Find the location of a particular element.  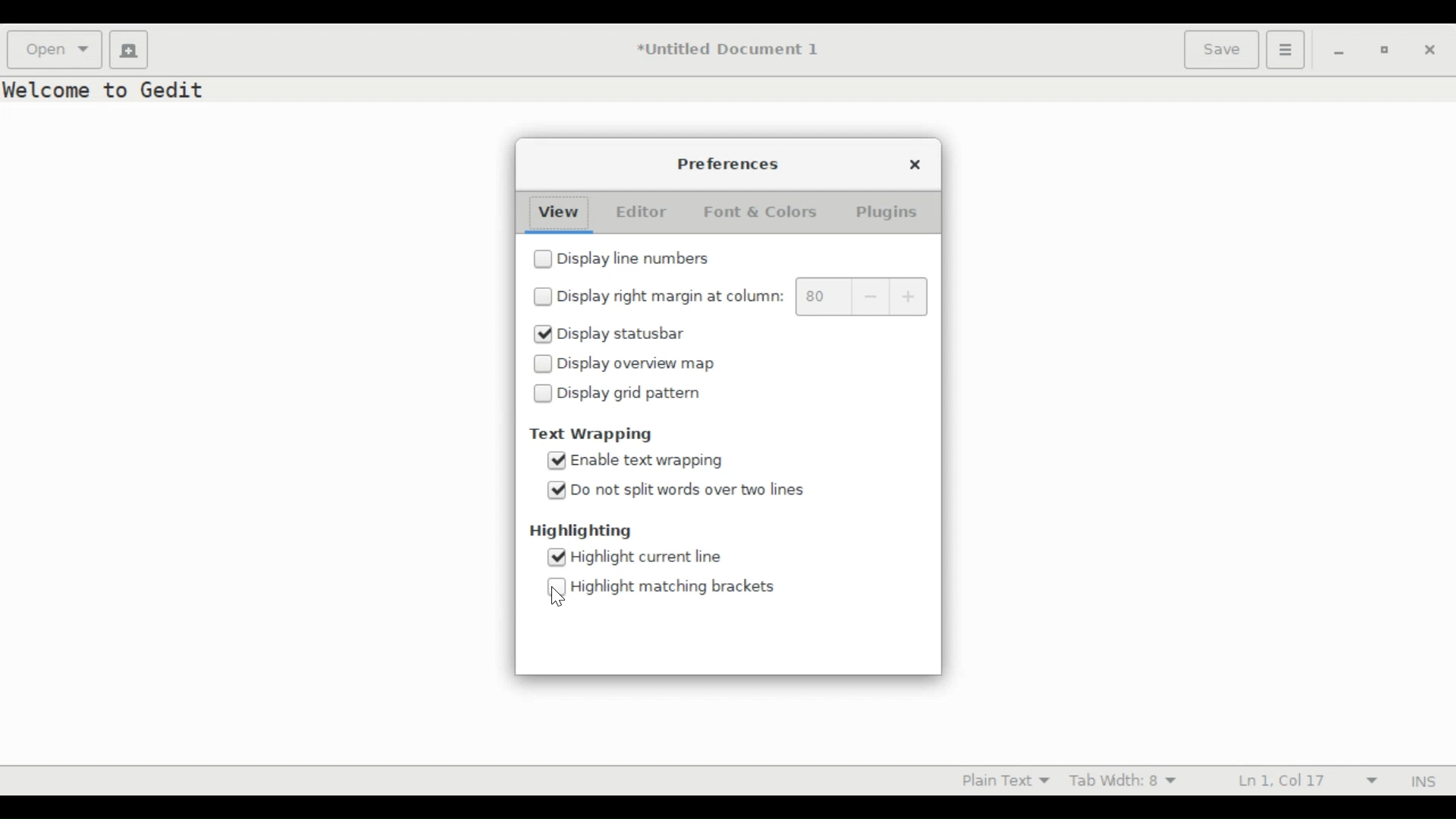

Tab Width is located at coordinates (1130, 781).